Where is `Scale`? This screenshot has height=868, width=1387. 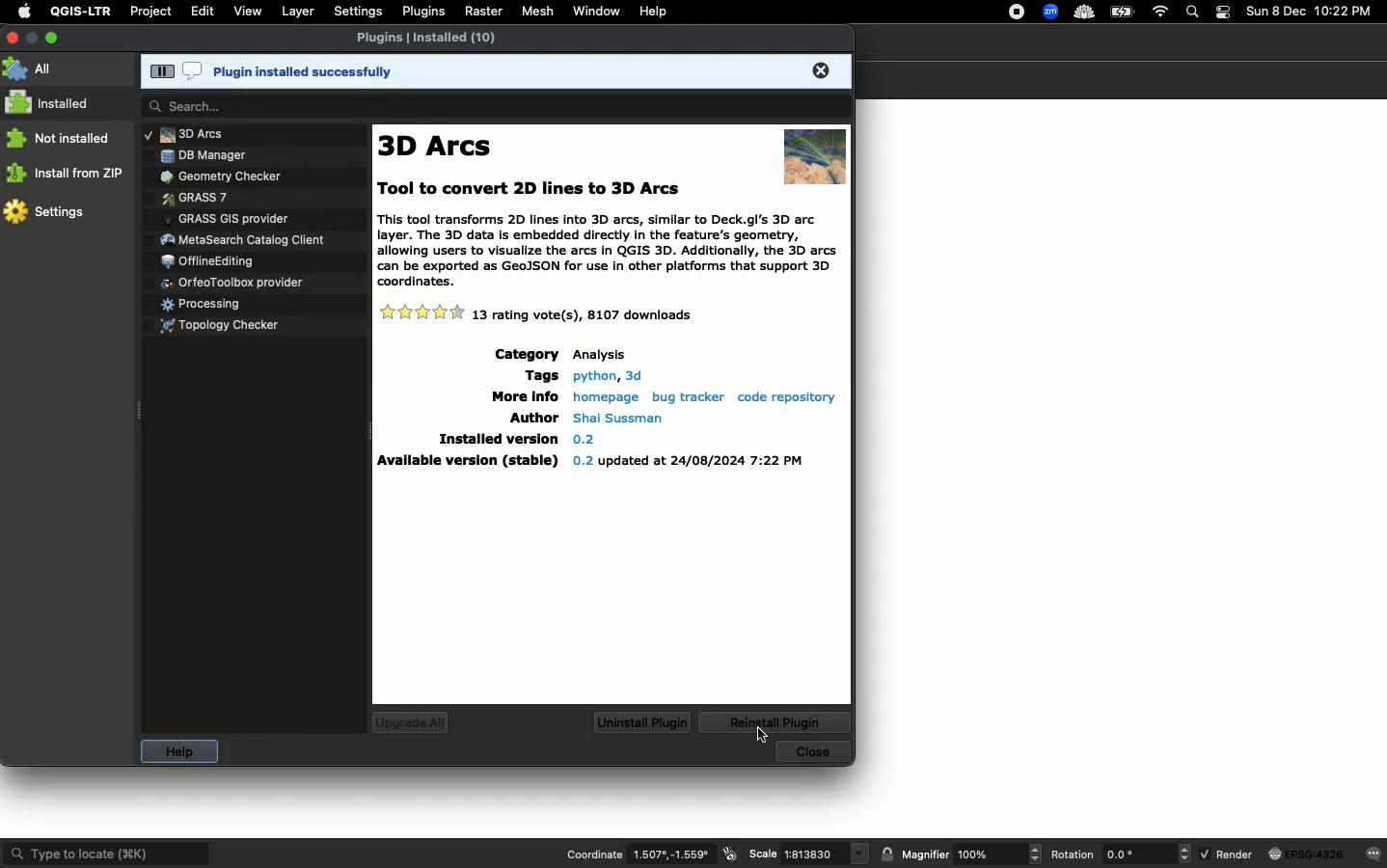
Scale is located at coordinates (827, 854).